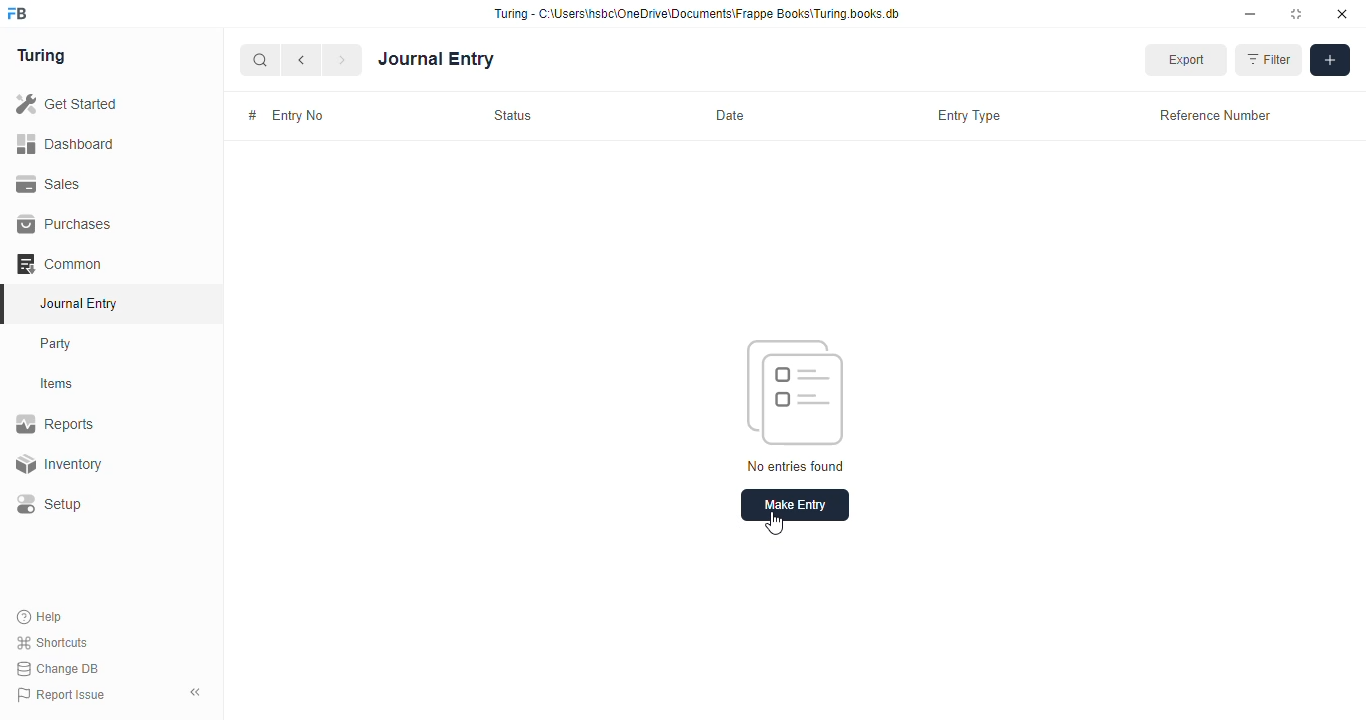 This screenshot has height=720, width=1366. I want to click on purchases, so click(64, 224).